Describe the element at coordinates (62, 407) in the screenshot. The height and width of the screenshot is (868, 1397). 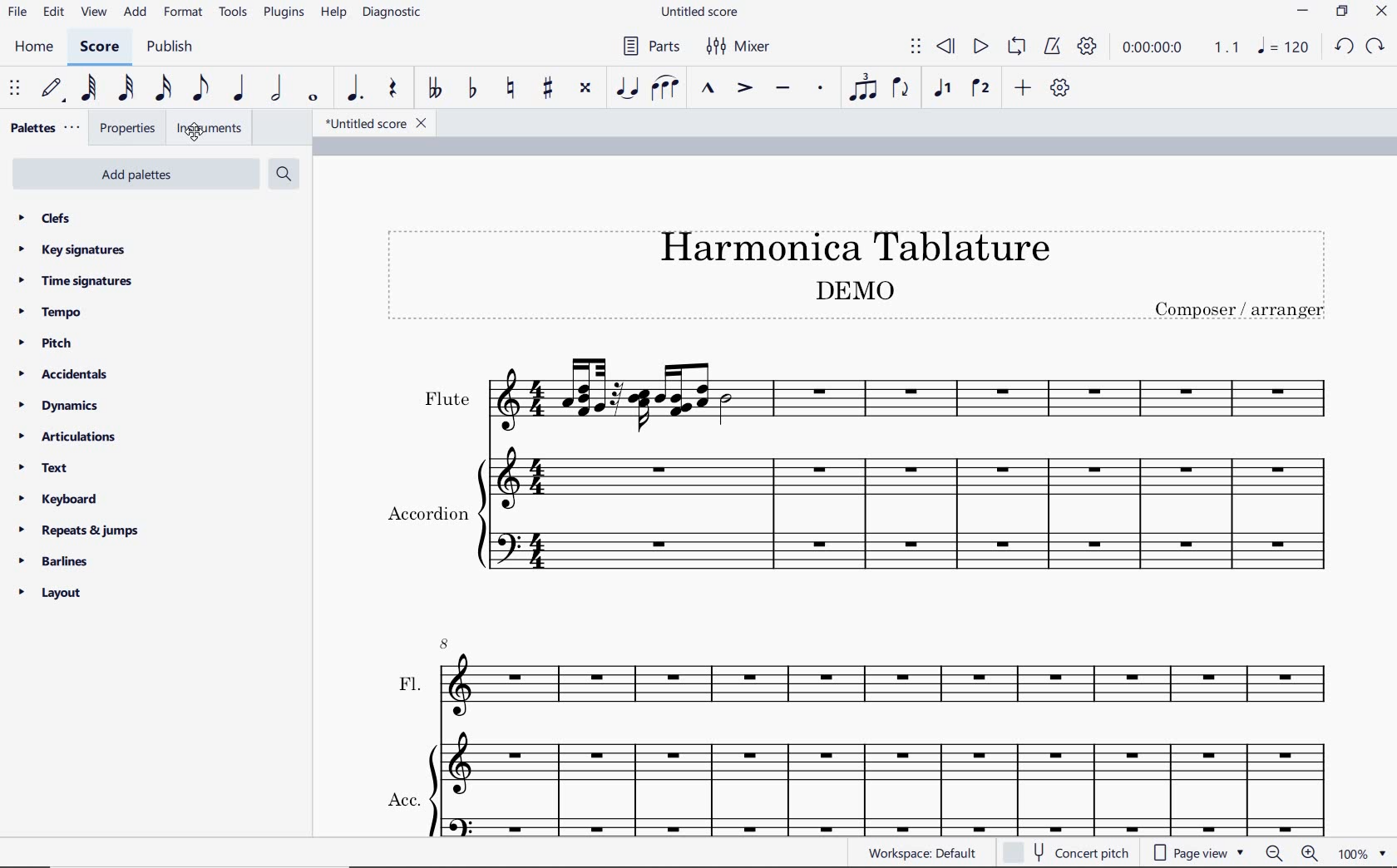
I see `dynamics` at that location.